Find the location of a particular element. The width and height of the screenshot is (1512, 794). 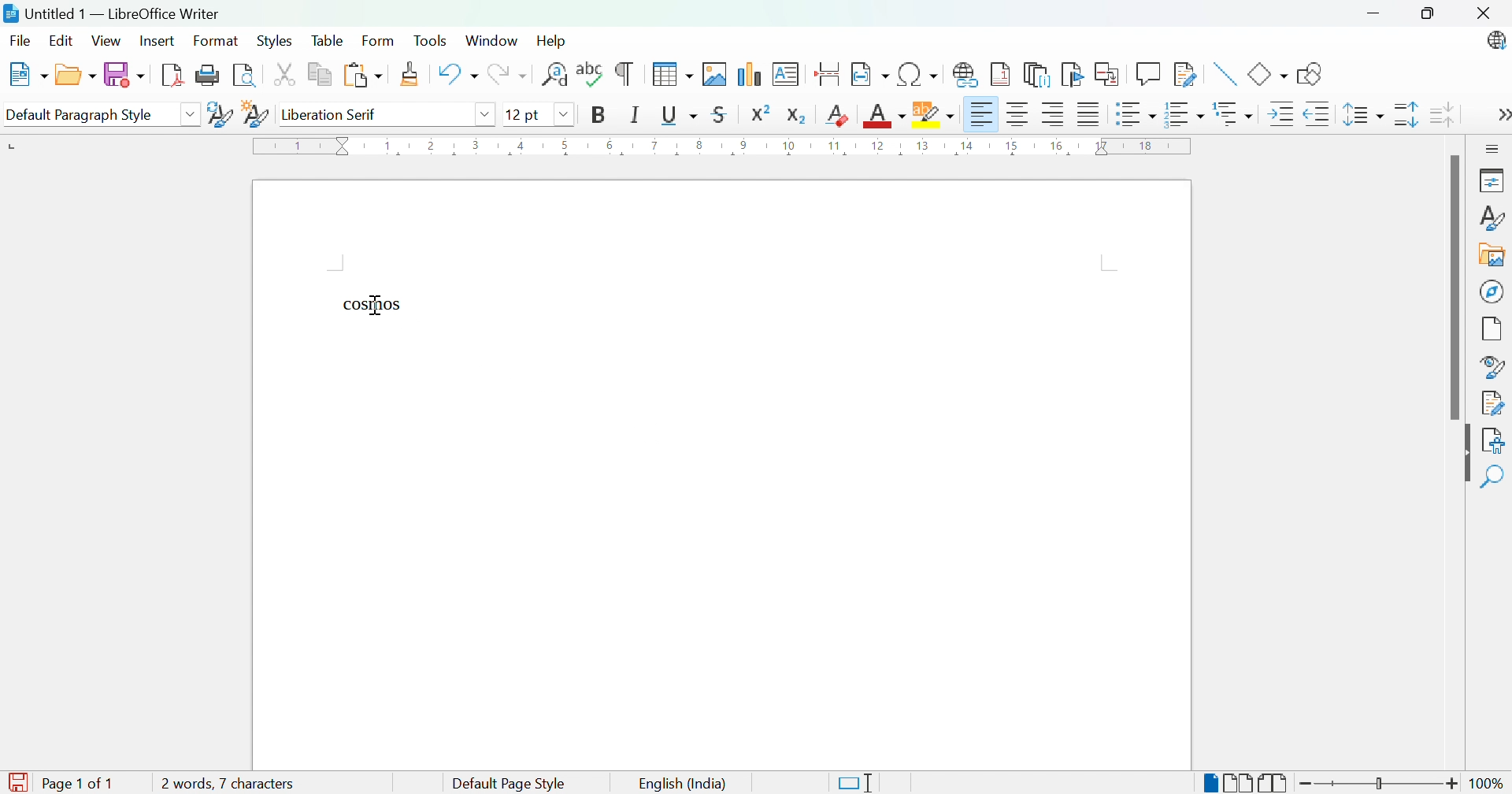

cosmos is located at coordinates (369, 304).